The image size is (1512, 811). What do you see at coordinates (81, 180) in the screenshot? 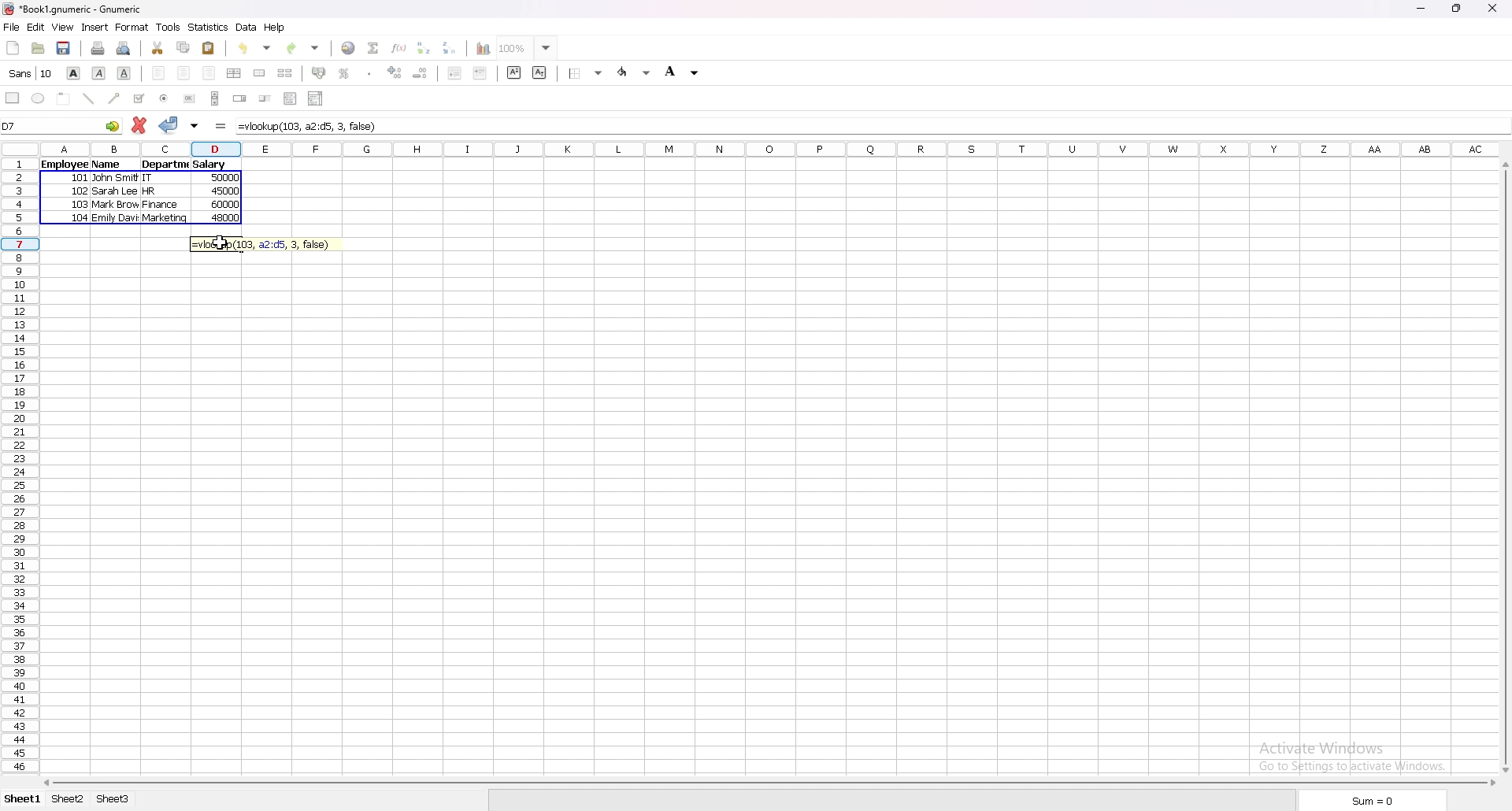
I see `101` at bounding box center [81, 180].